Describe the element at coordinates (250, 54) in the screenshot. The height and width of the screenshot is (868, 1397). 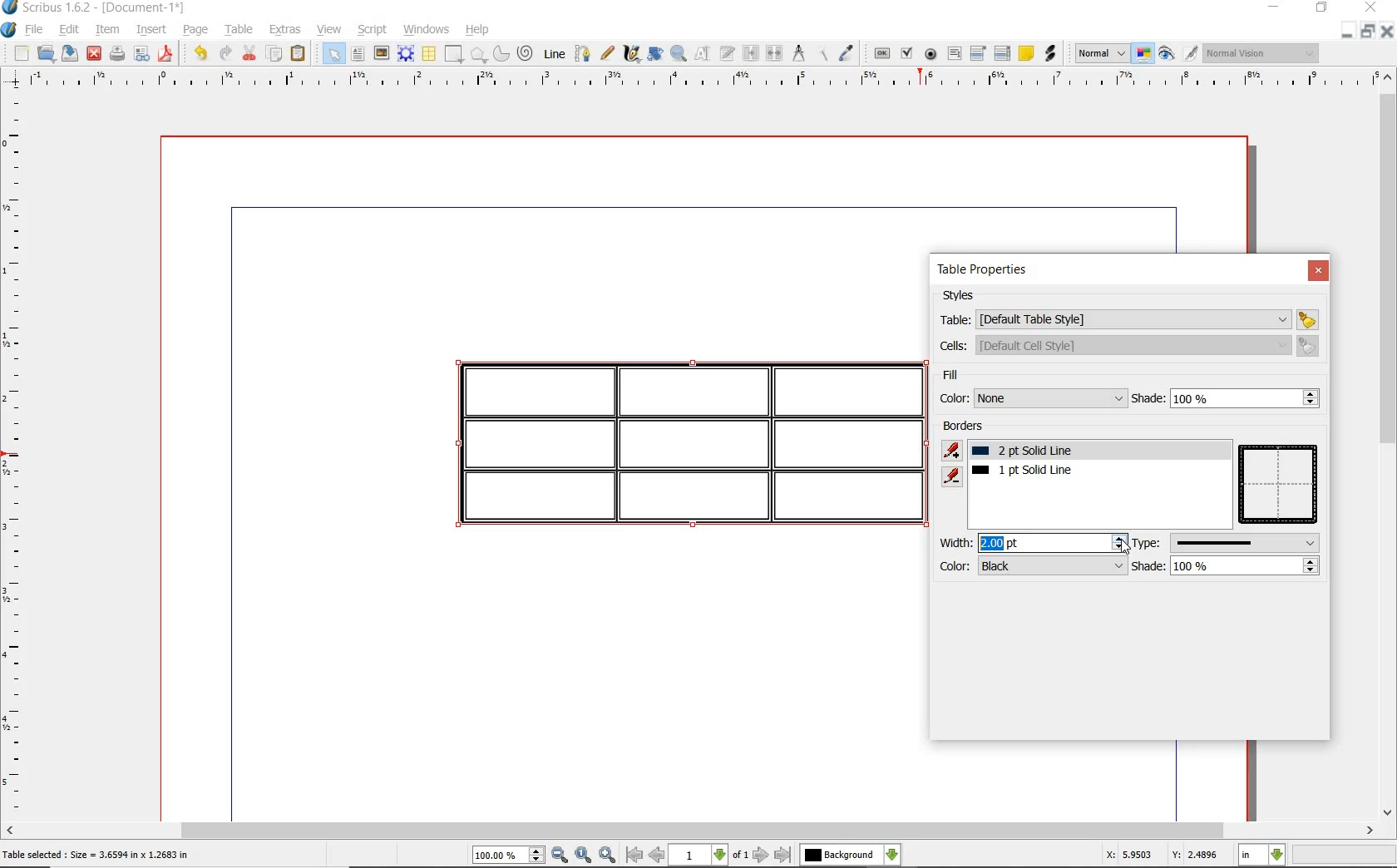
I see `cut` at that location.